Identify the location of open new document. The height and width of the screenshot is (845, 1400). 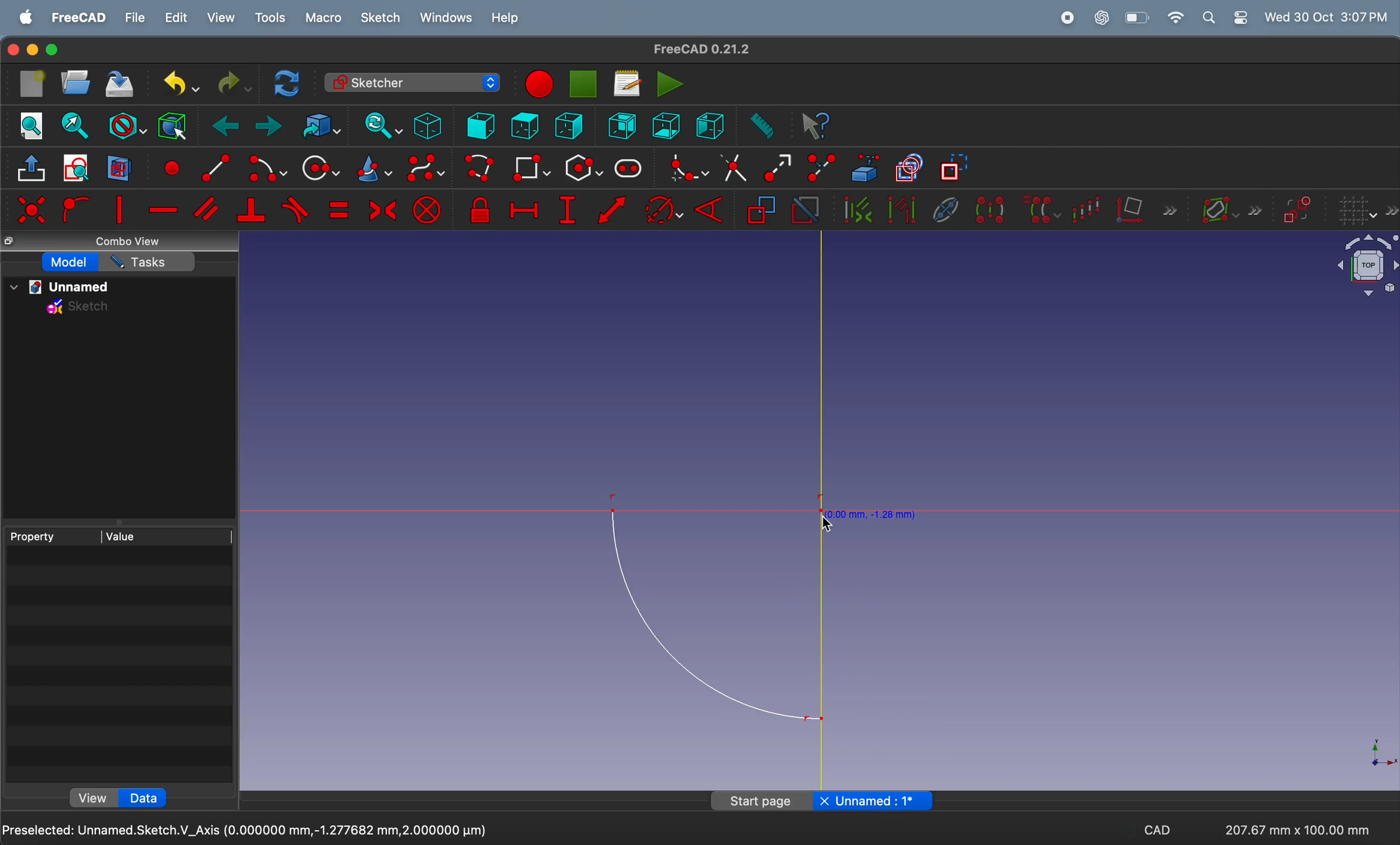
(76, 82).